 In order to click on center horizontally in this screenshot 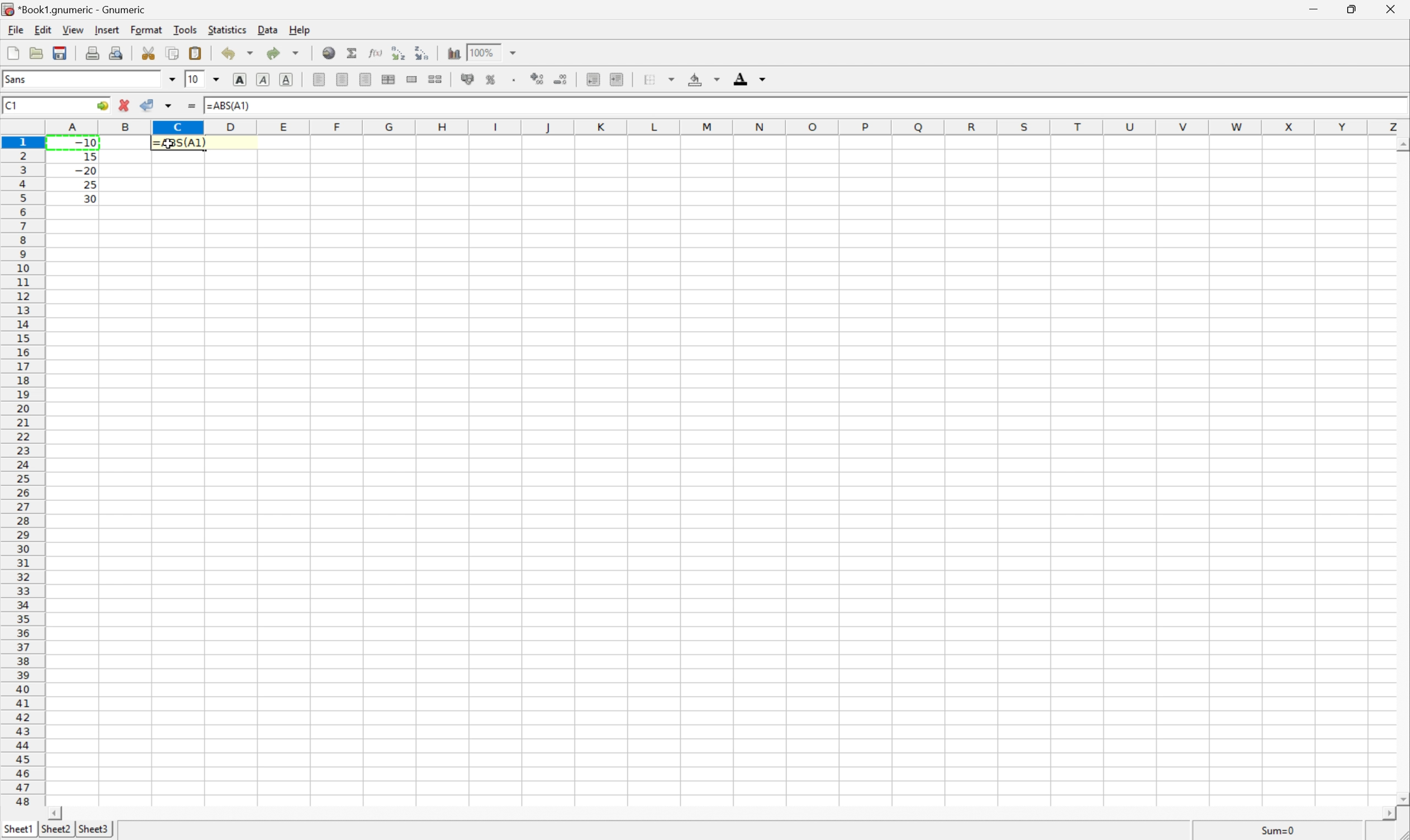, I will do `click(343, 79)`.